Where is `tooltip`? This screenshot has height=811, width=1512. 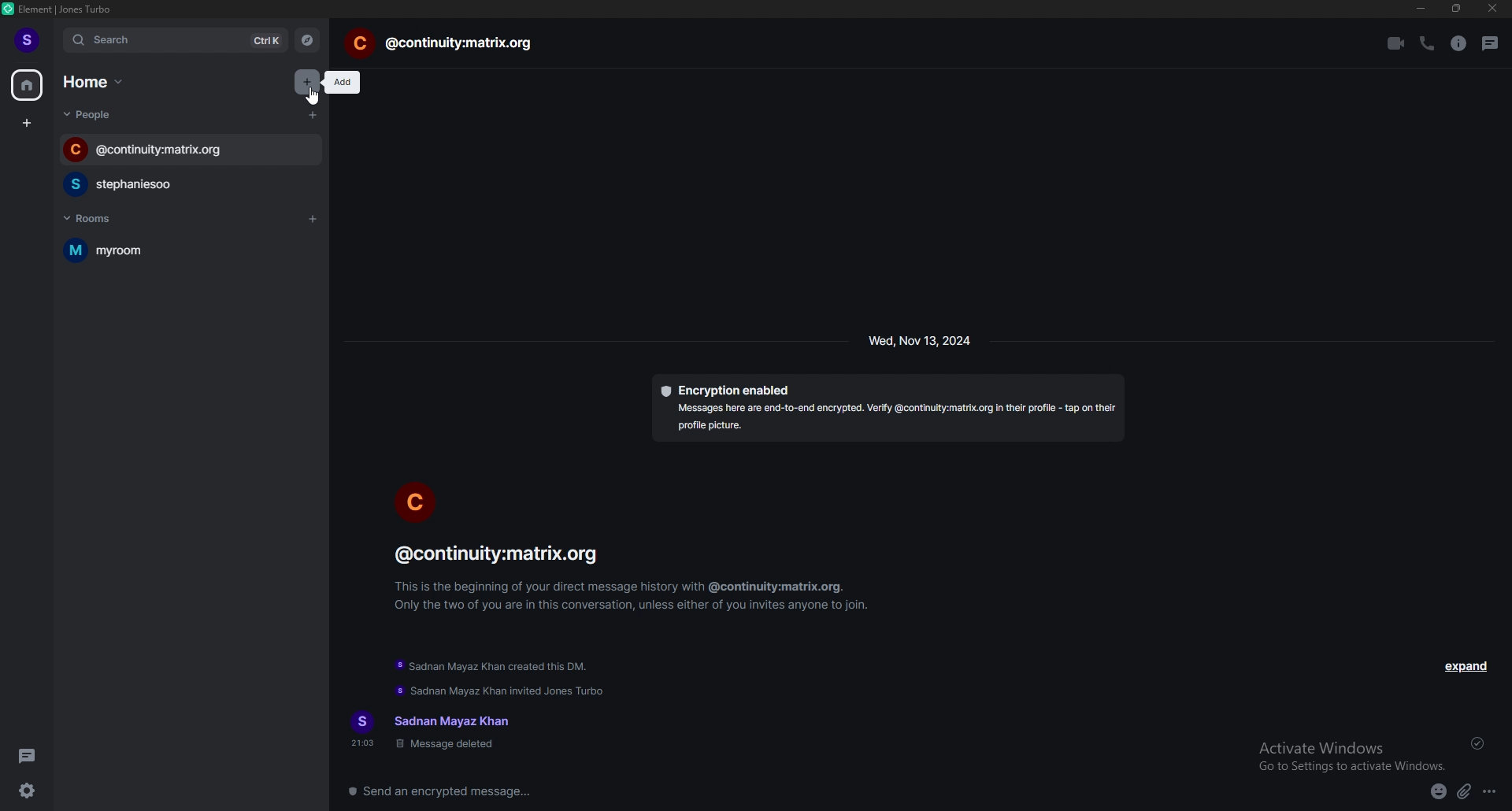
tooltip is located at coordinates (346, 83).